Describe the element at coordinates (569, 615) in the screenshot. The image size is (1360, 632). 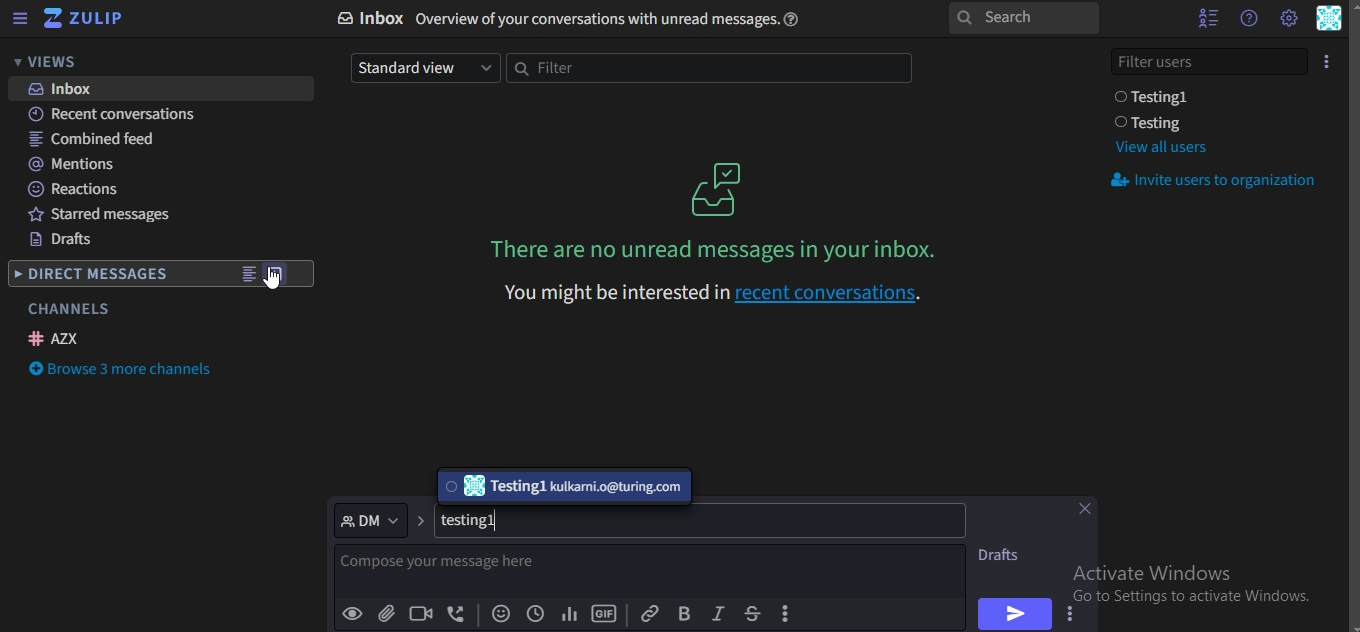
I see `Add poll` at that location.